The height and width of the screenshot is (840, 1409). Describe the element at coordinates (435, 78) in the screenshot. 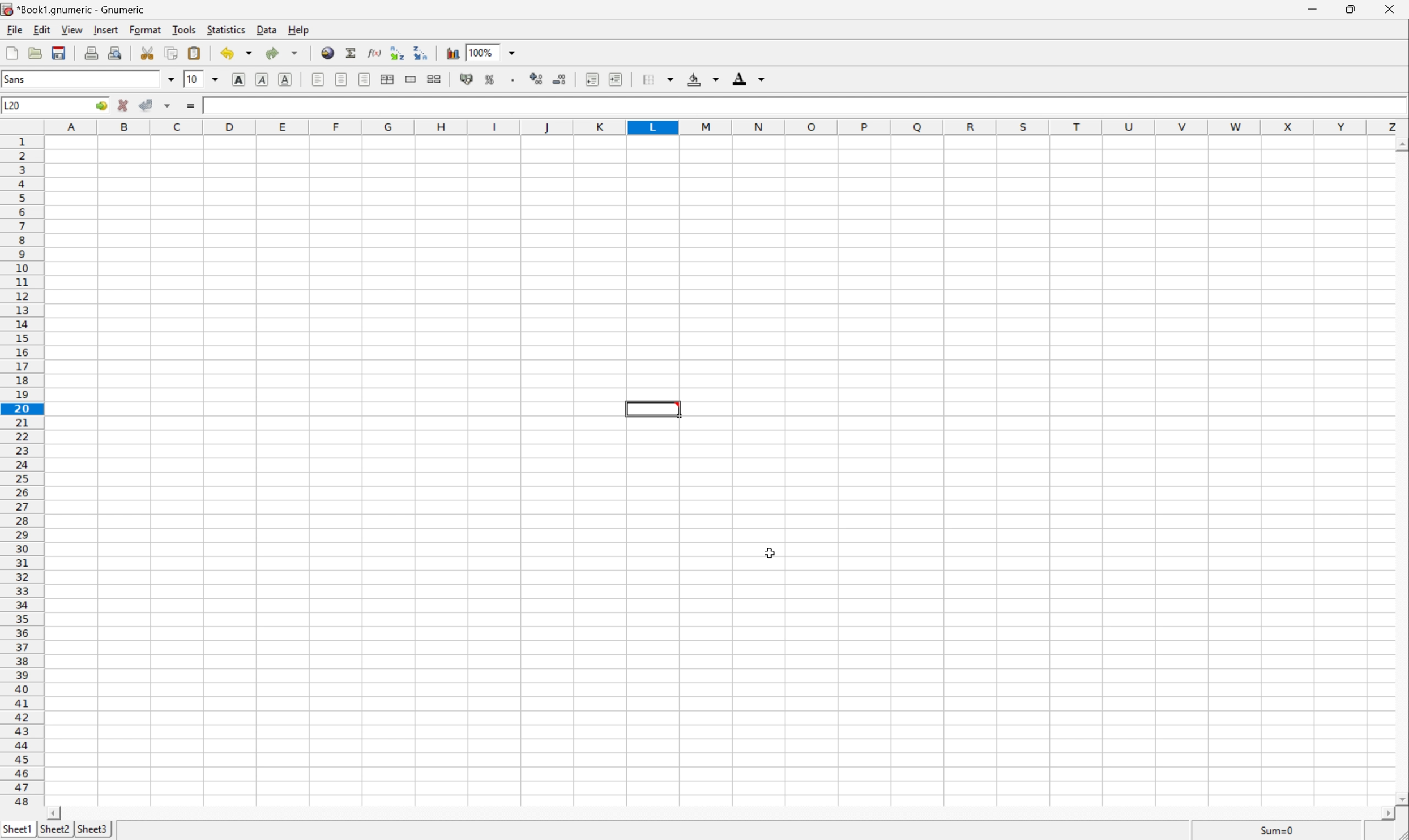

I see `Split the ranges of merged cells` at that location.